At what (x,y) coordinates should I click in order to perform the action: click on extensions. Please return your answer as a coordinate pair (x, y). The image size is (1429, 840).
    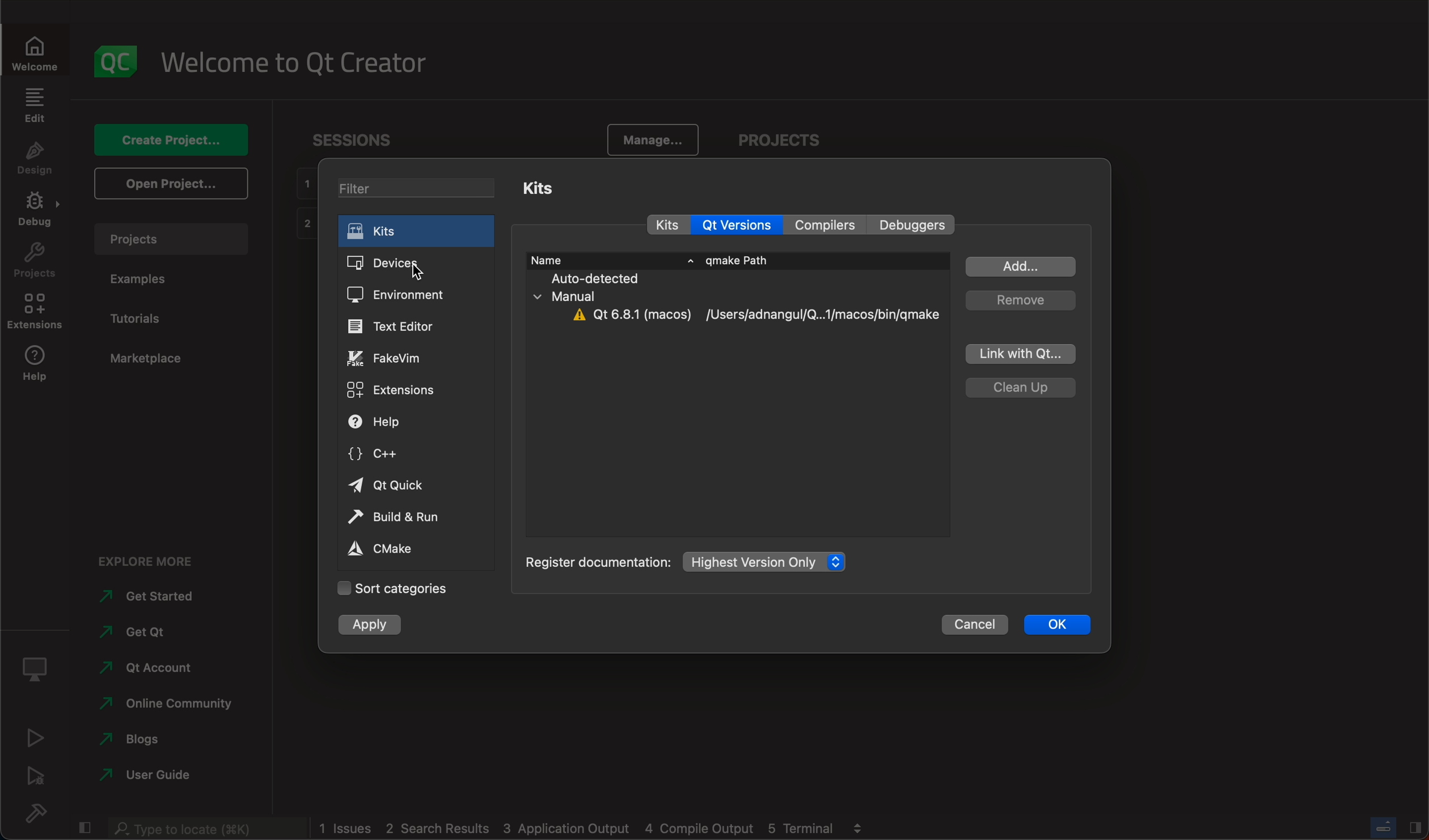
    Looking at the image, I should click on (39, 313).